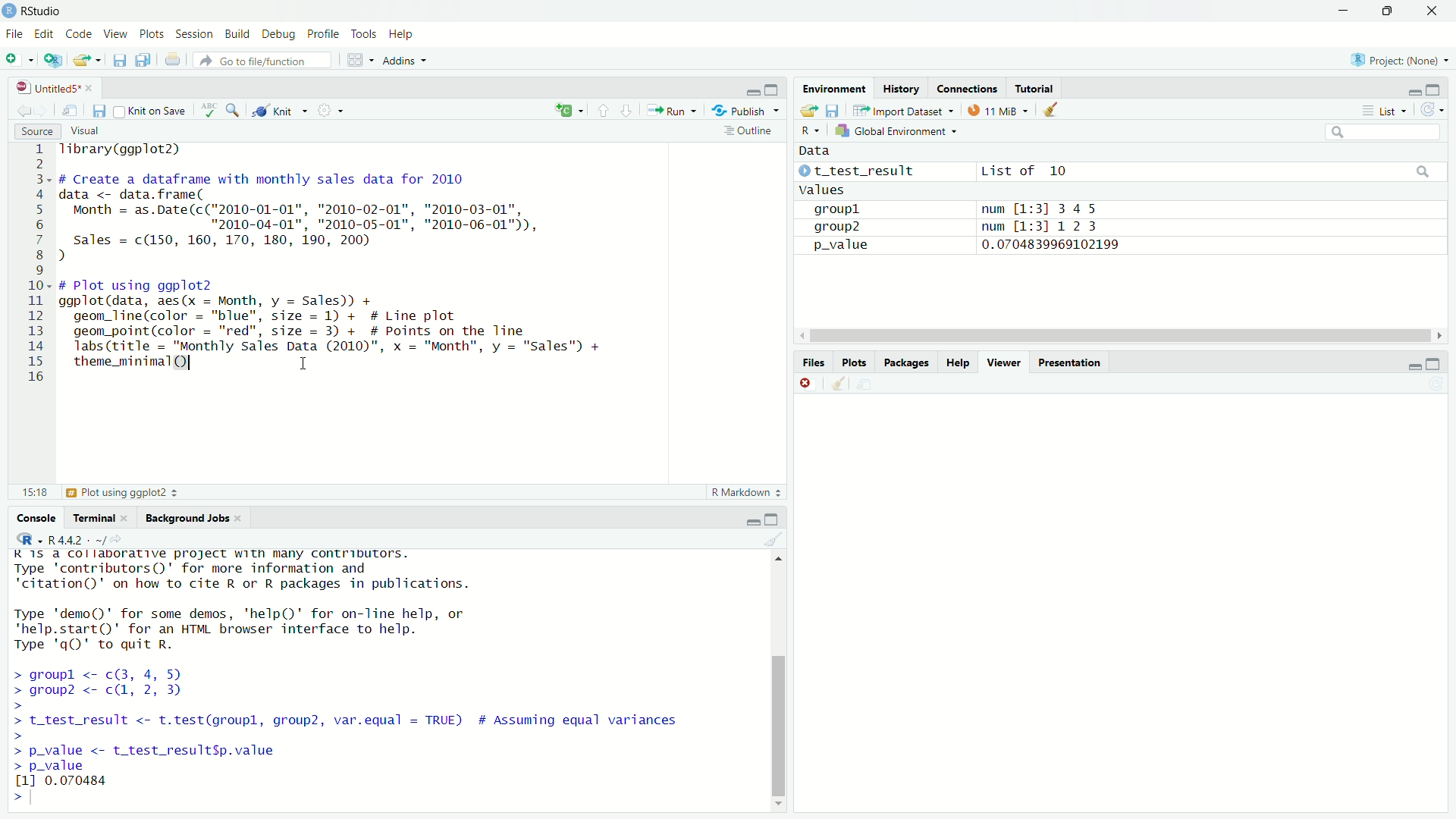  Describe the element at coordinates (88, 61) in the screenshot. I see `open an existing file` at that location.